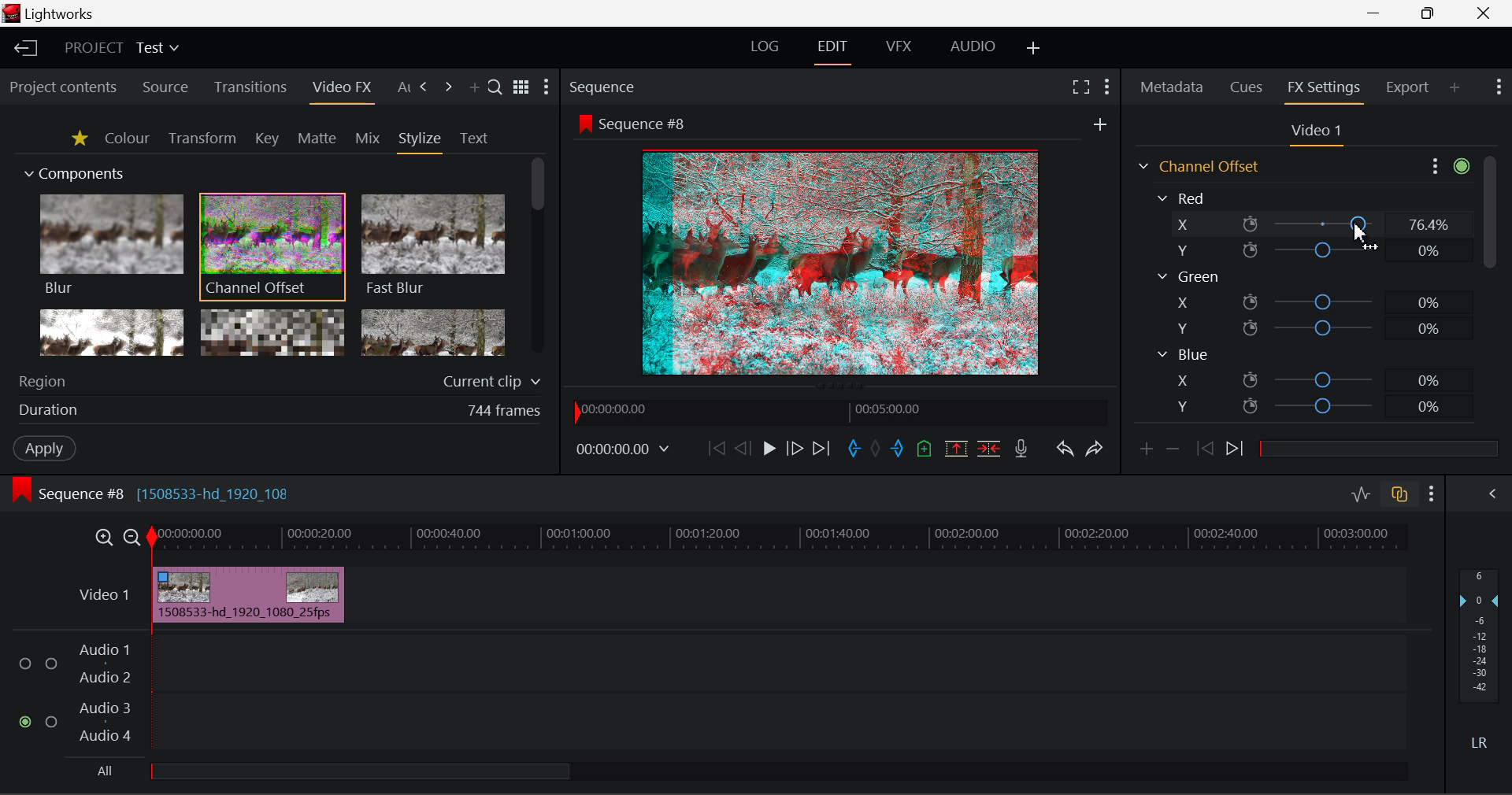 Image resolution: width=1512 pixels, height=795 pixels. I want to click on Apply, so click(46, 449).